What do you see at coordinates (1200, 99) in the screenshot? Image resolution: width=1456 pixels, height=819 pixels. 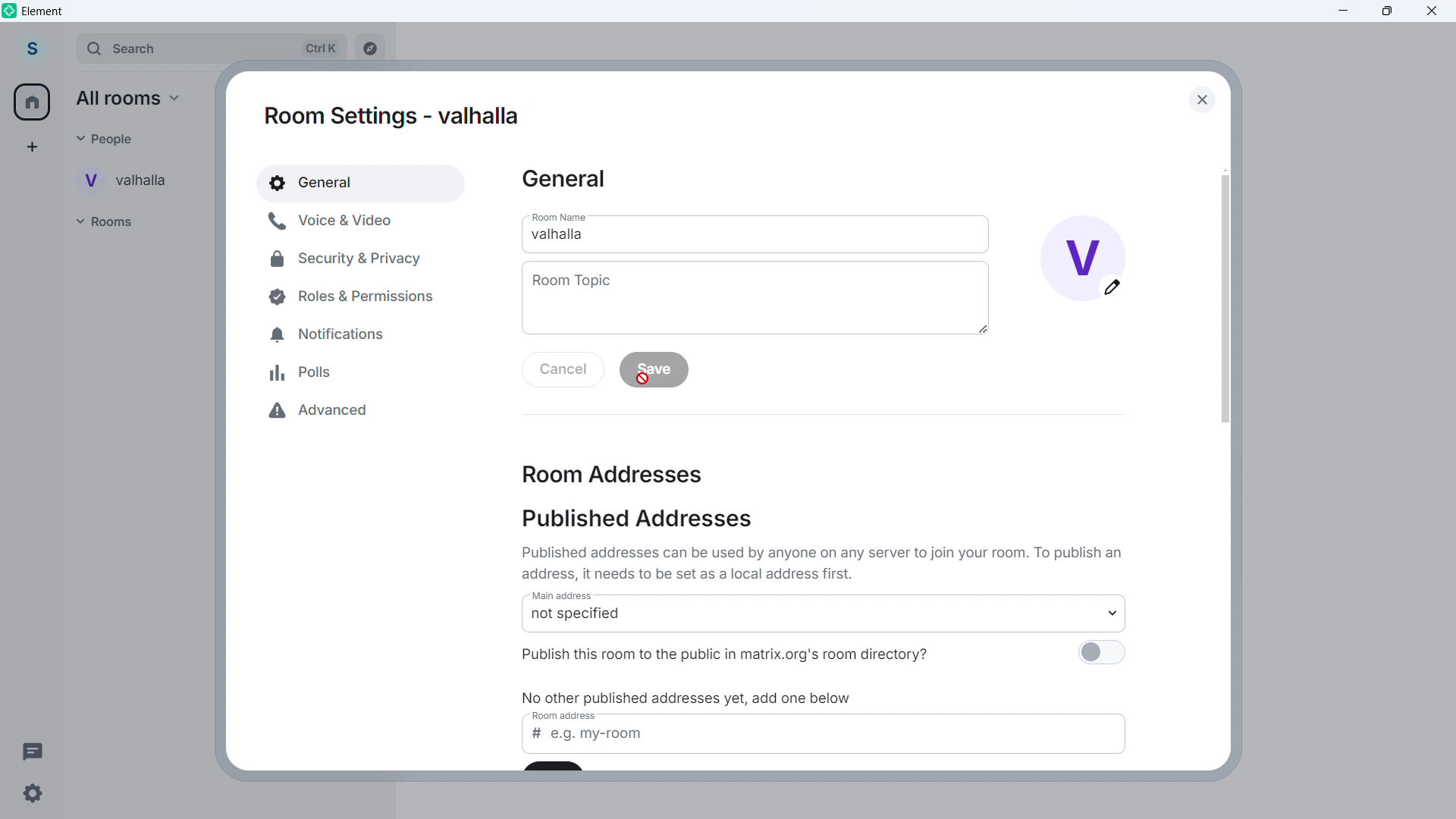 I see `Close ` at bounding box center [1200, 99].